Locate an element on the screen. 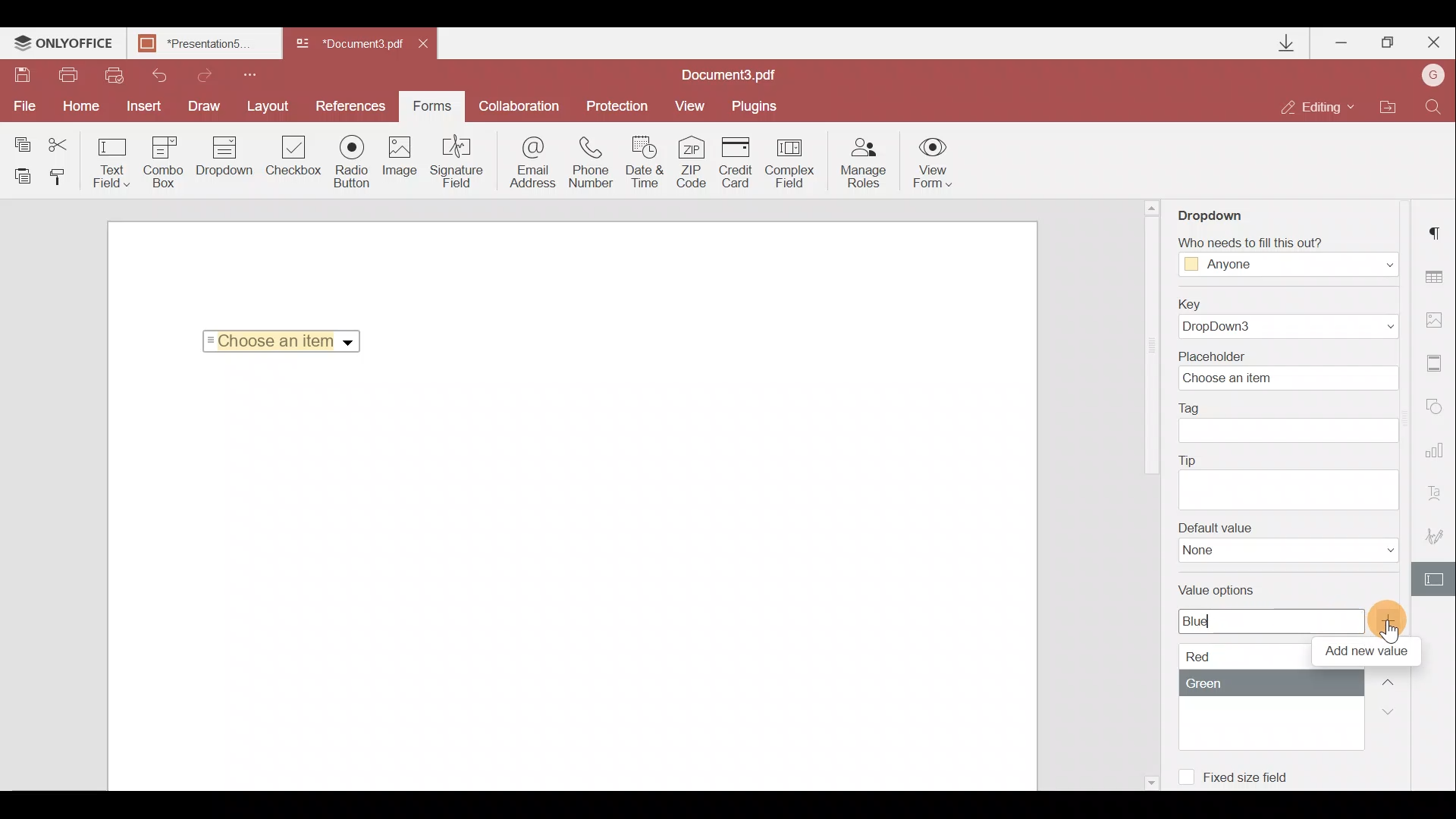 Image resolution: width=1456 pixels, height=819 pixels. Placeholder is located at coordinates (1285, 370).